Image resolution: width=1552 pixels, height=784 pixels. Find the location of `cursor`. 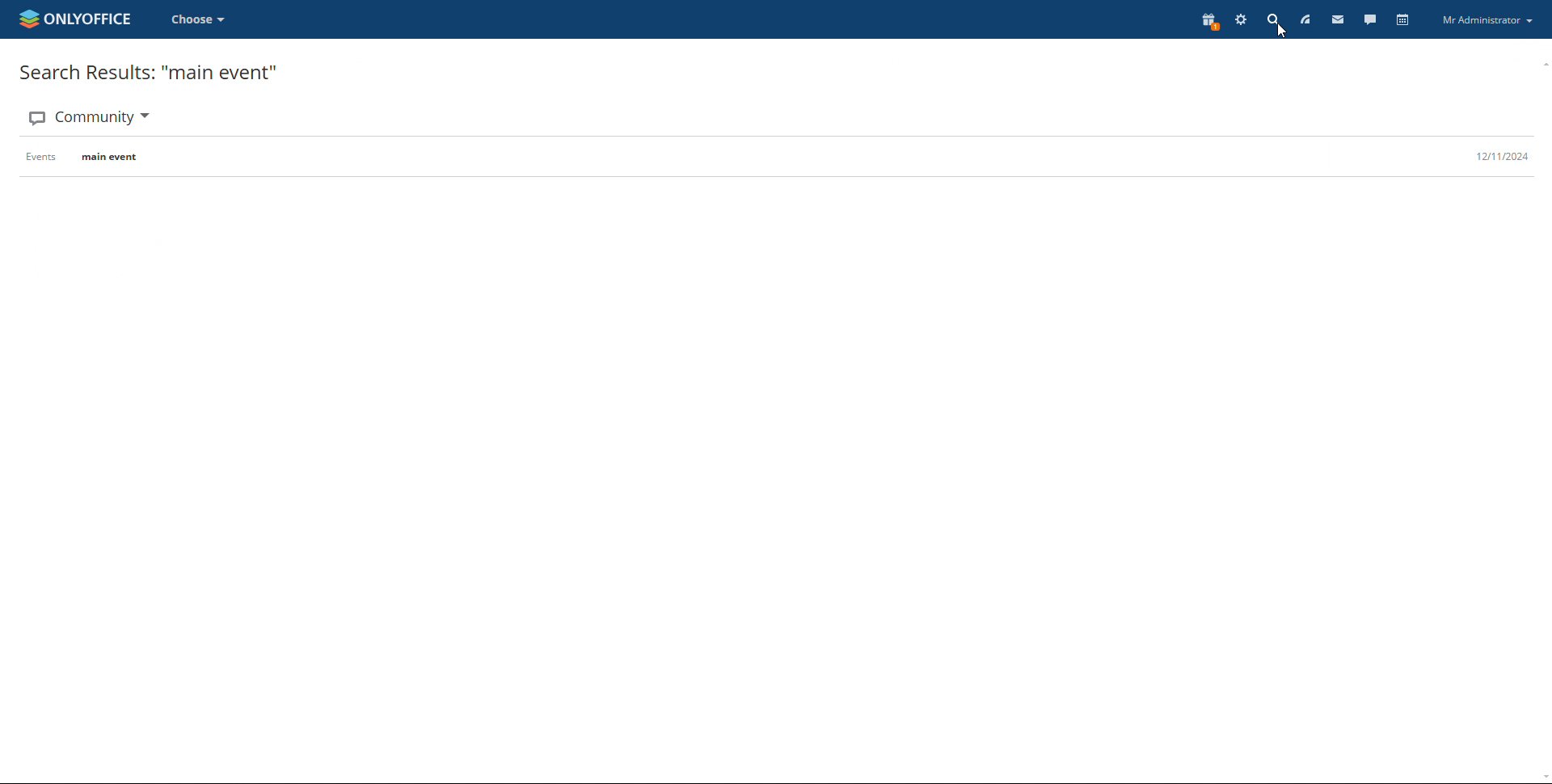

cursor is located at coordinates (1280, 33).